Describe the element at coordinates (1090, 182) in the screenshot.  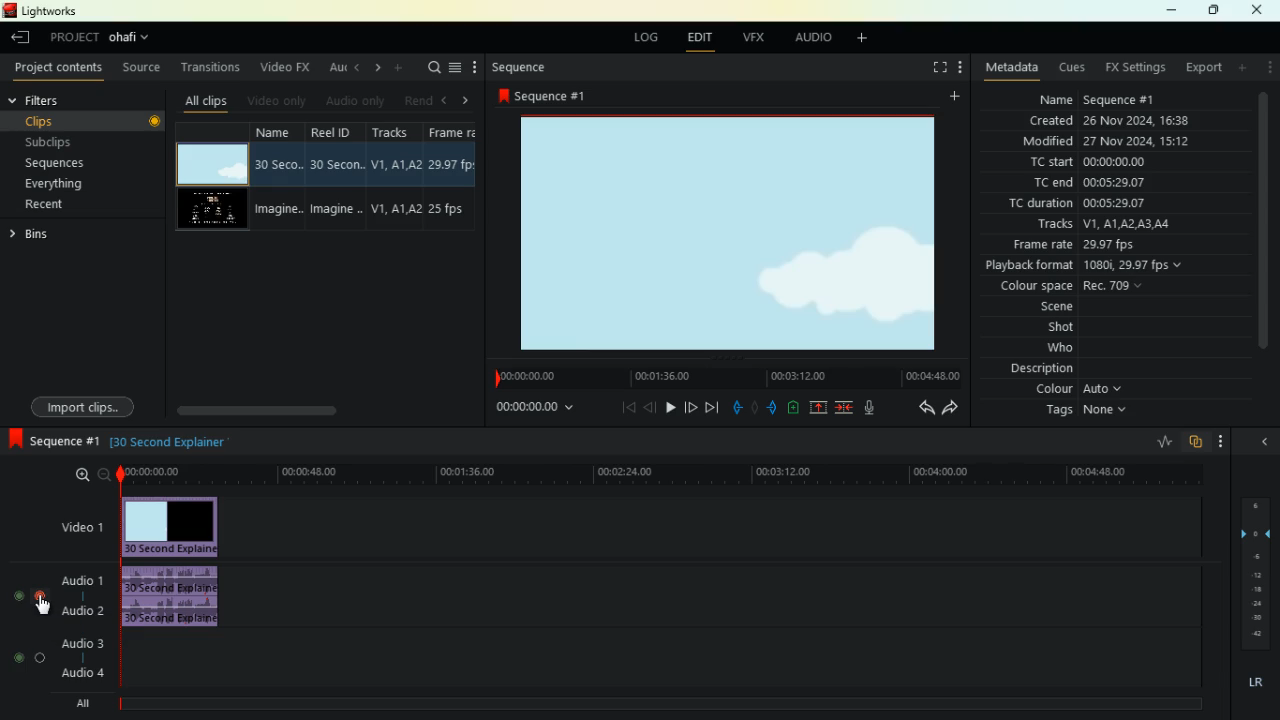
I see `tc end` at that location.